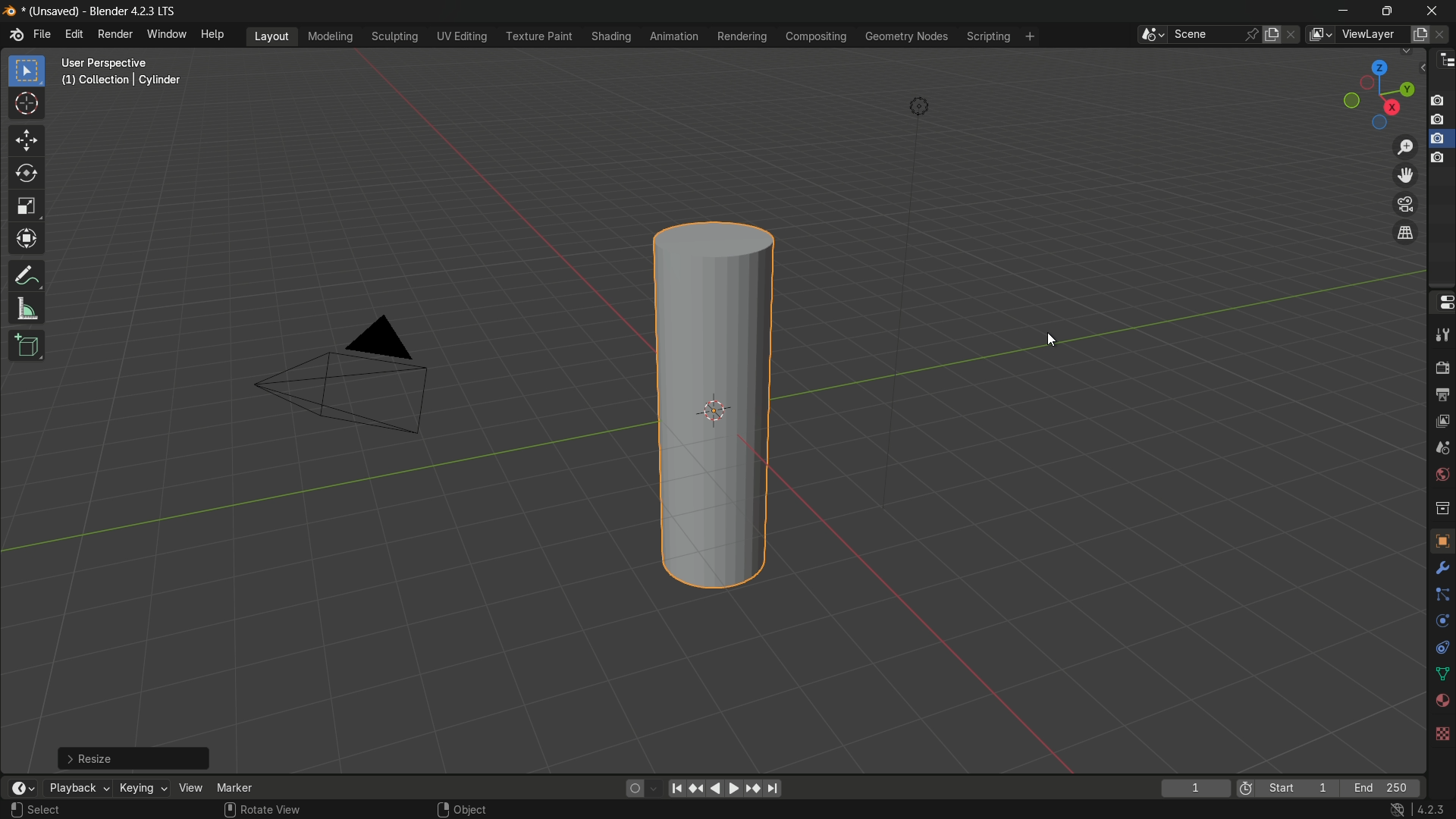  I want to click on keying, so click(143, 788).